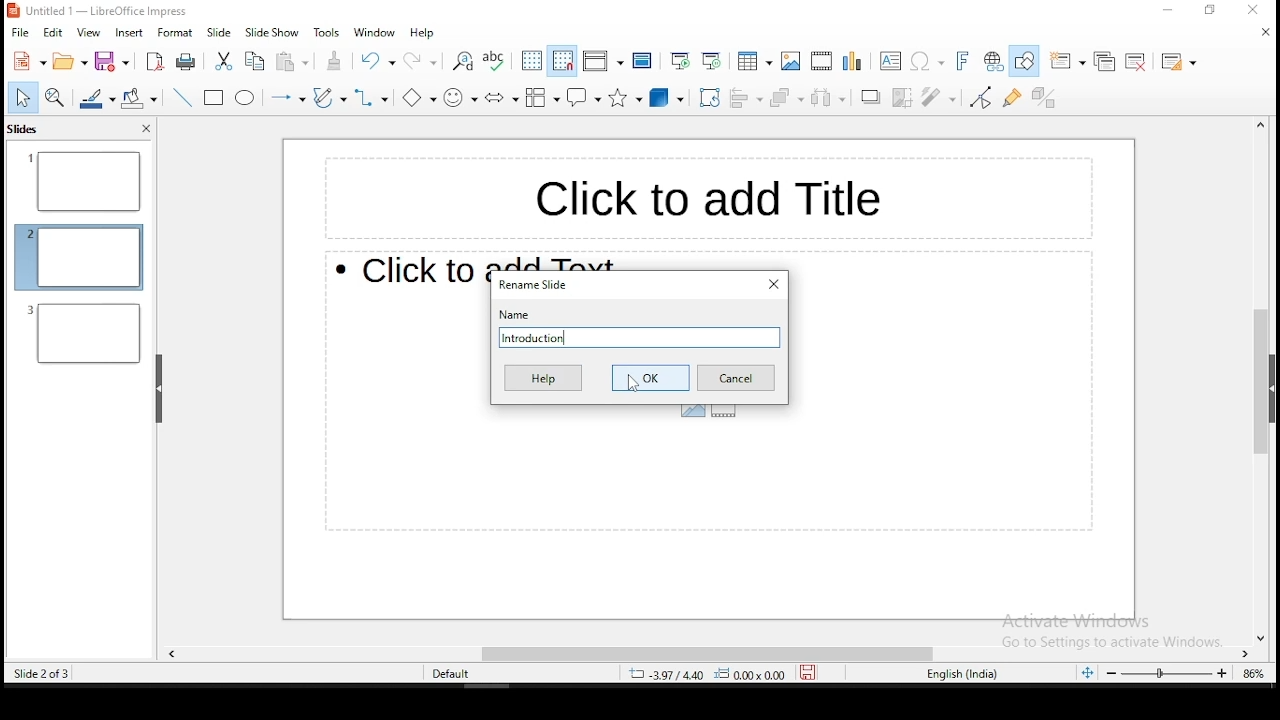 This screenshot has height=720, width=1280. I want to click on paste, so click(292, 63).